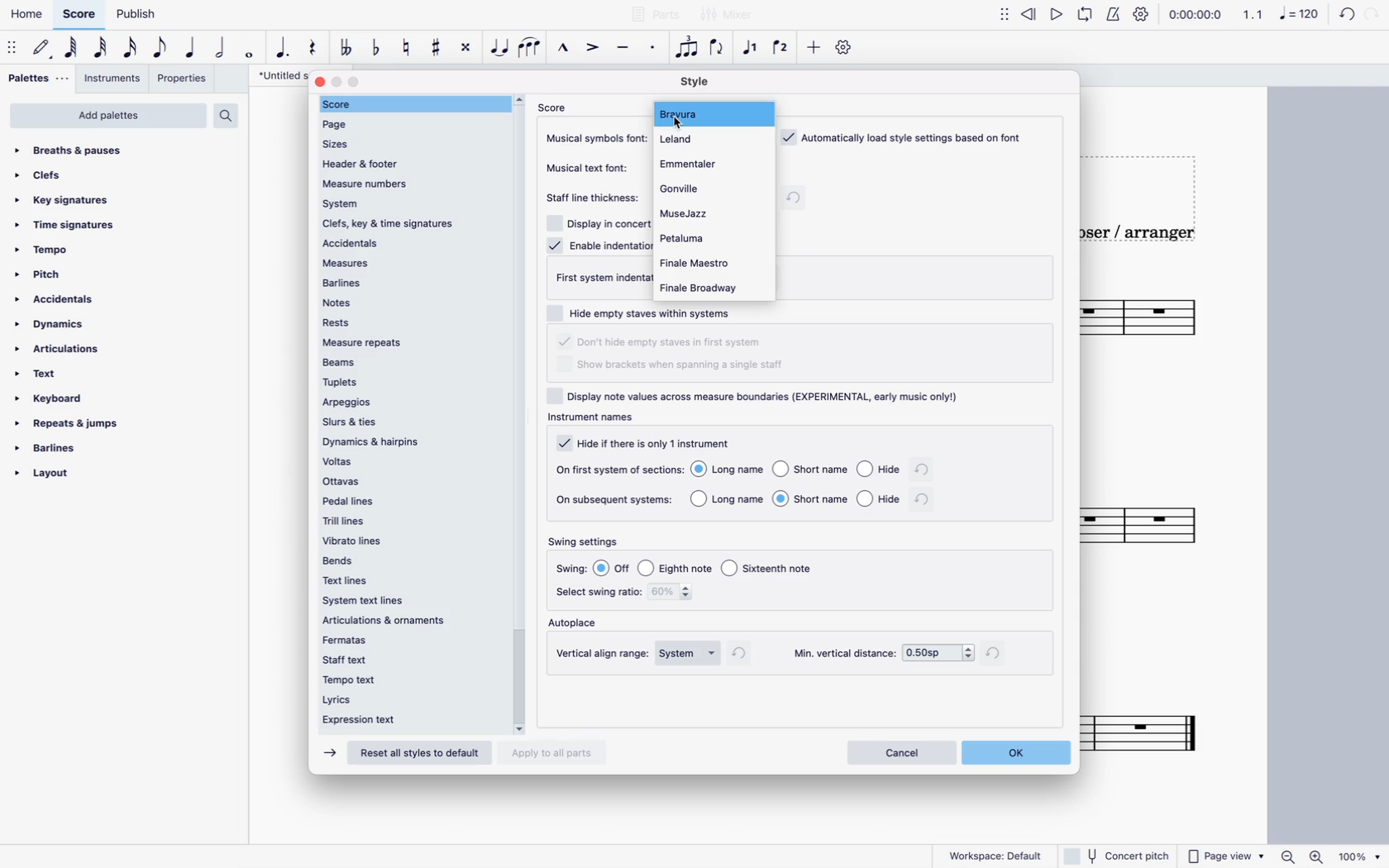 The height and width of the screenshot is (868, 1389). Describe the element at coordinates (709, 139) in the screenshot. I see `leland` at that location.